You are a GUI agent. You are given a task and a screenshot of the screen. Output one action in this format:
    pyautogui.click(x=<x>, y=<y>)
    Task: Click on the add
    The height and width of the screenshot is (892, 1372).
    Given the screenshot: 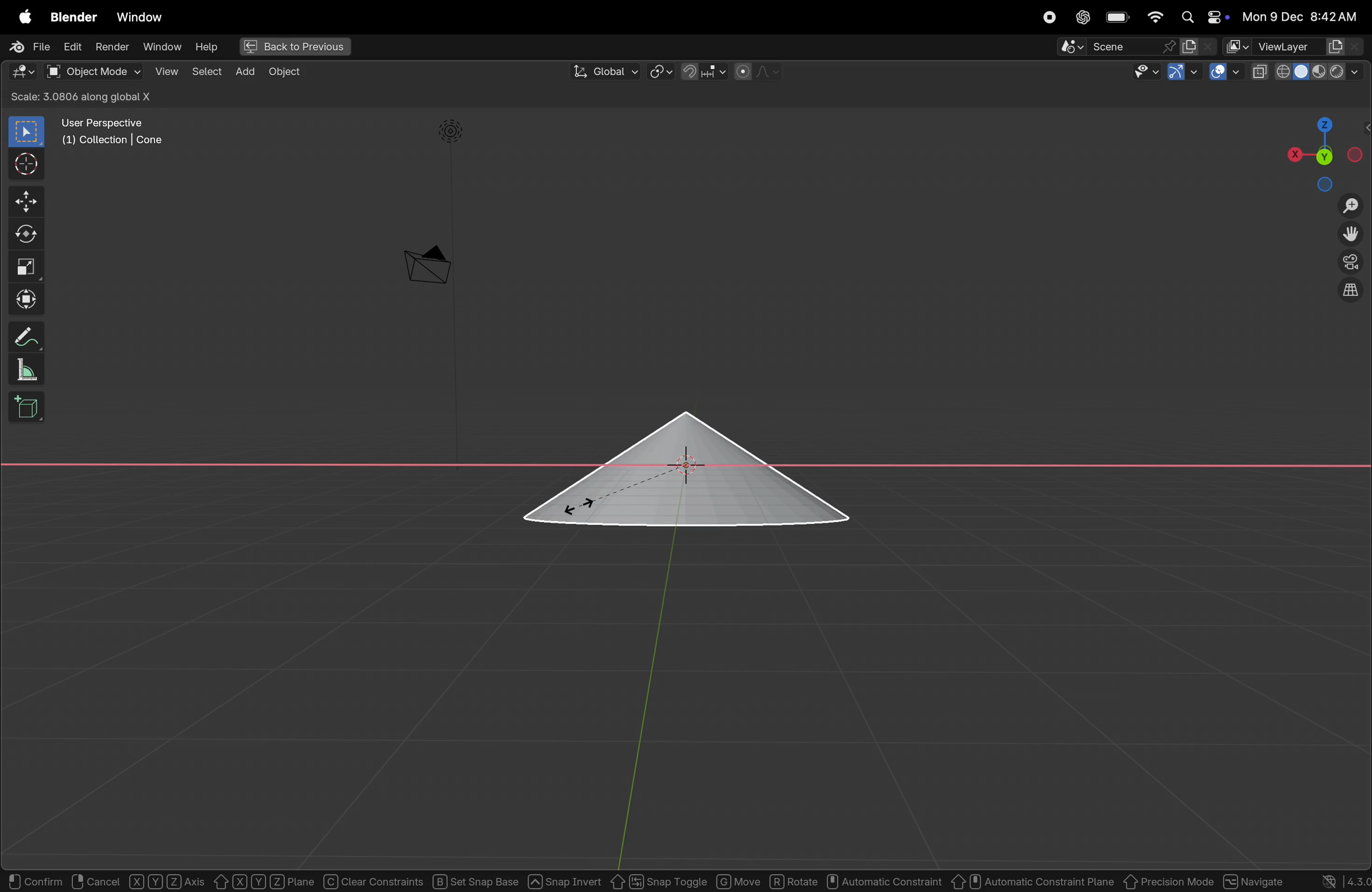 What is the action you would take?
    pyautogui.click(x=246, y=71)
    